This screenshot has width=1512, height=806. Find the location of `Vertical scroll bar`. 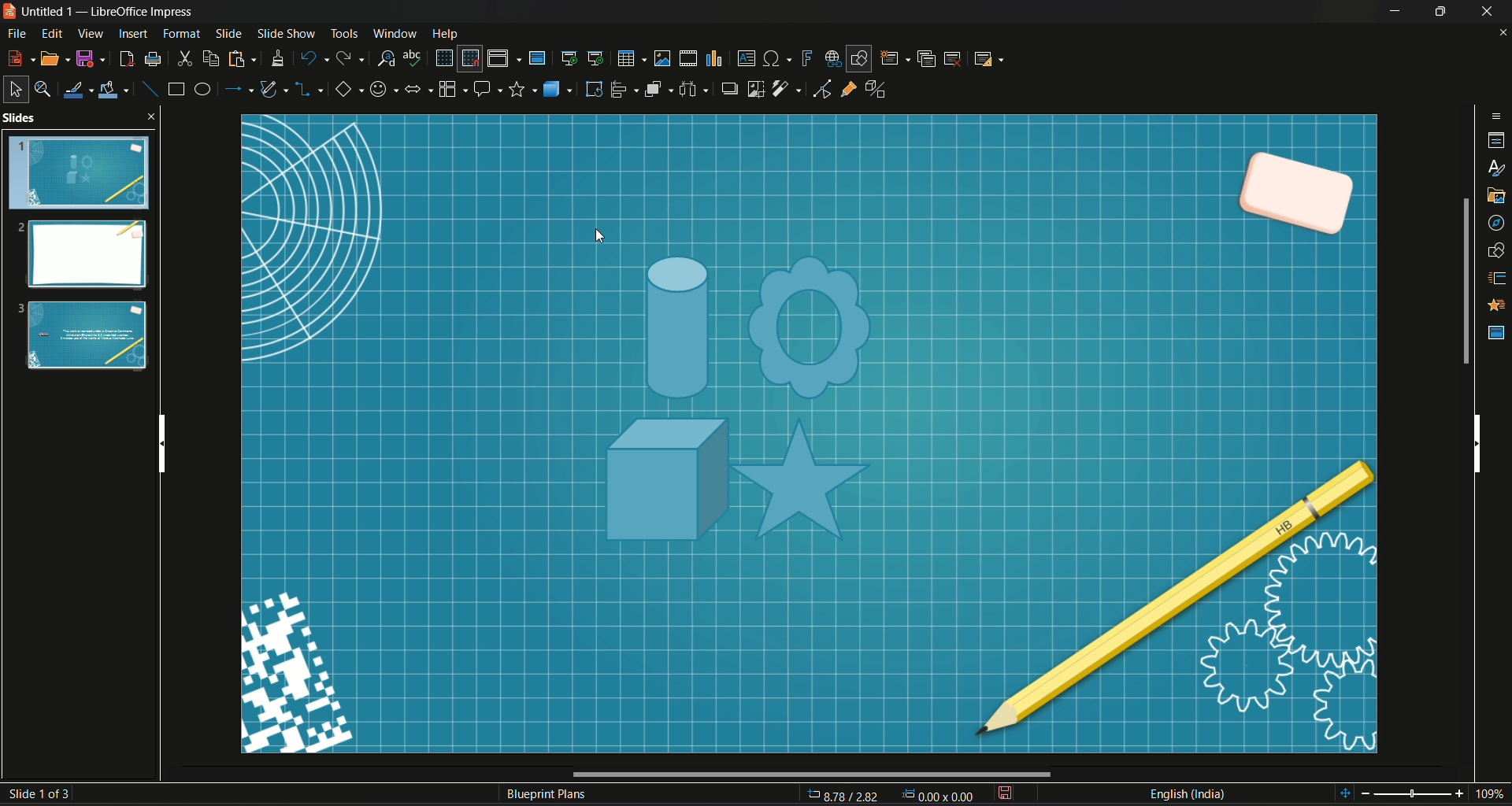

Vertical scroll bar is located at coordinates (160, 439).